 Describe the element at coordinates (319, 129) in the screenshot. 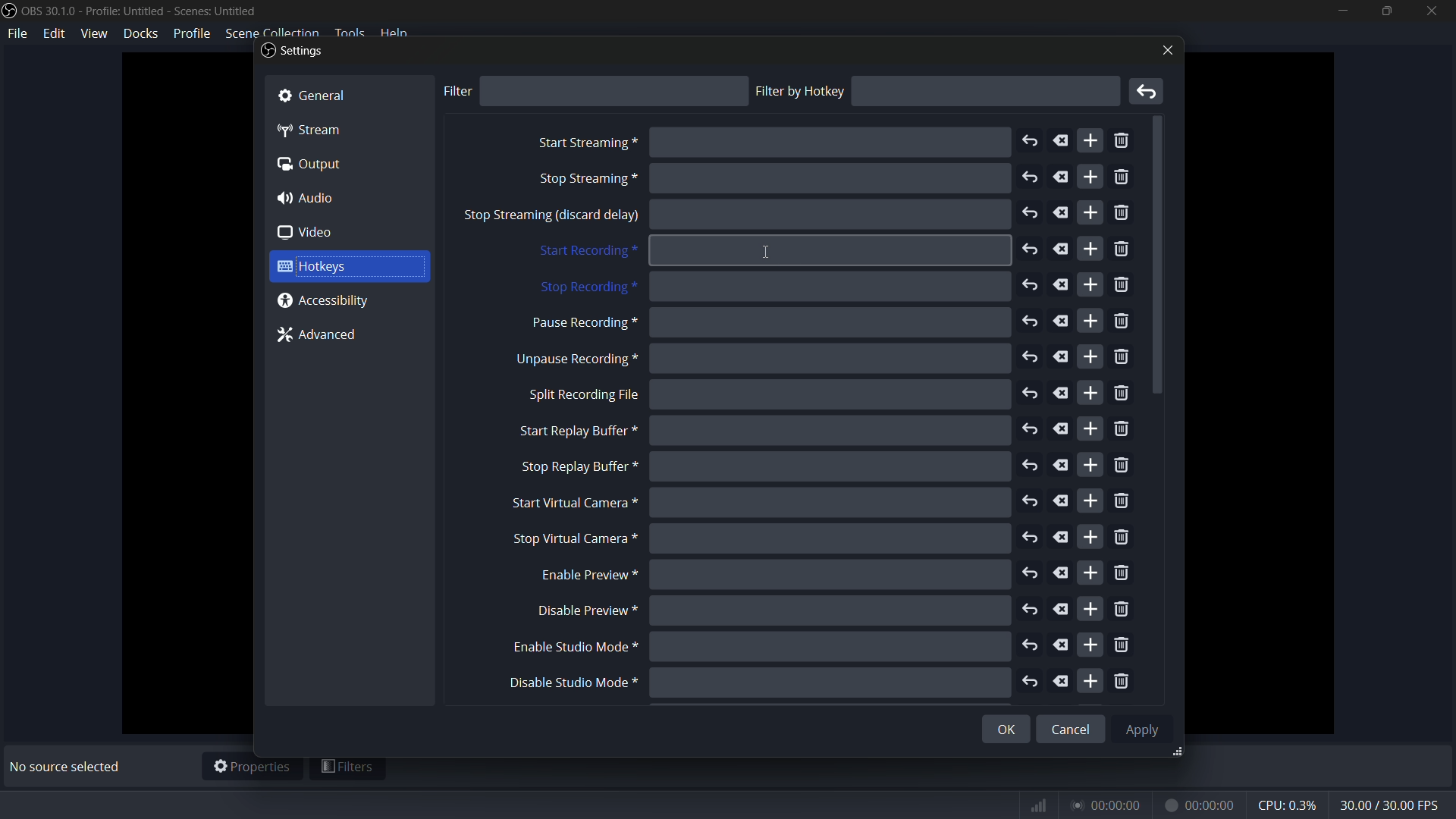

I see `“4p Stream` at that location.